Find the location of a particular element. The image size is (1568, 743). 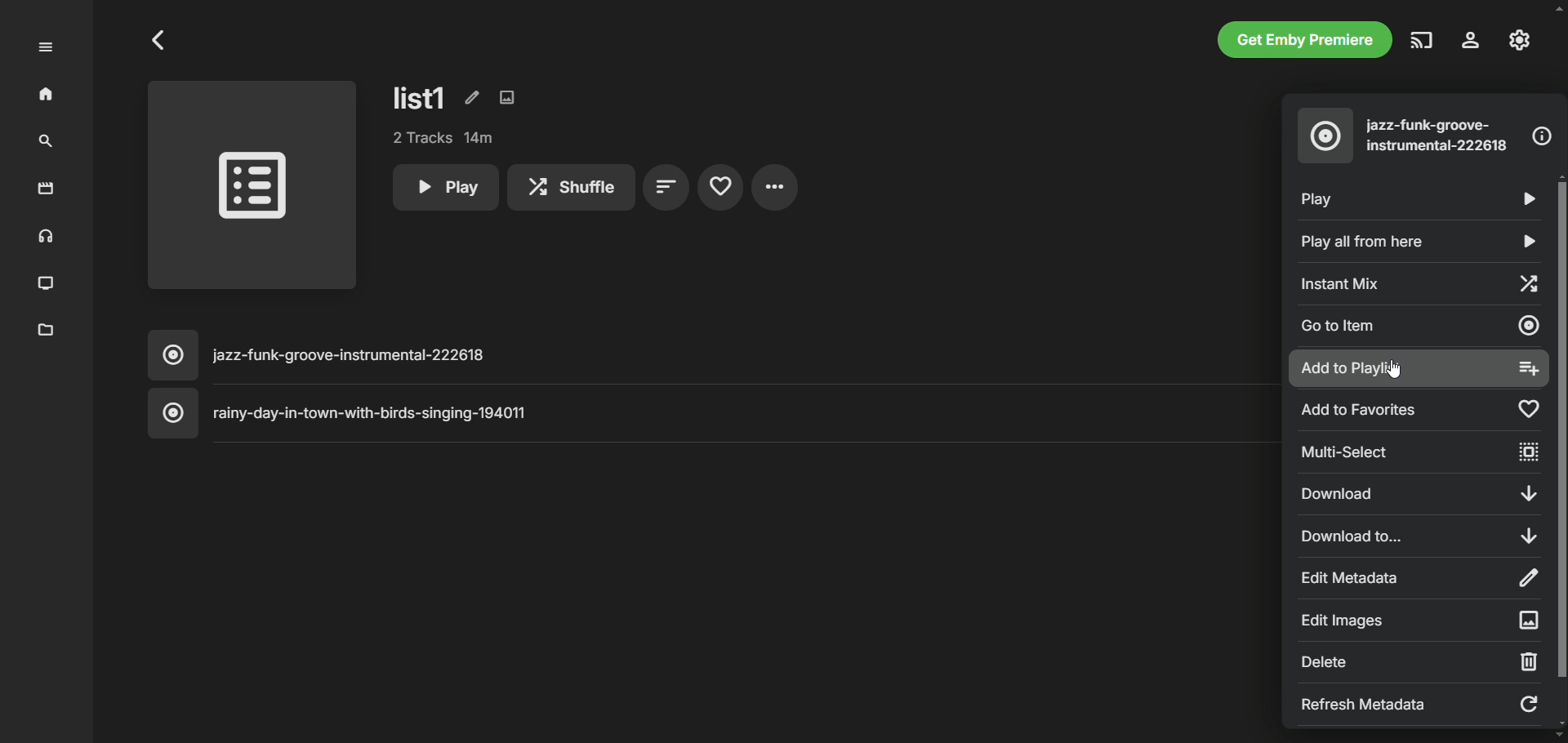

edit metadata is located at coordinates (470, 96).